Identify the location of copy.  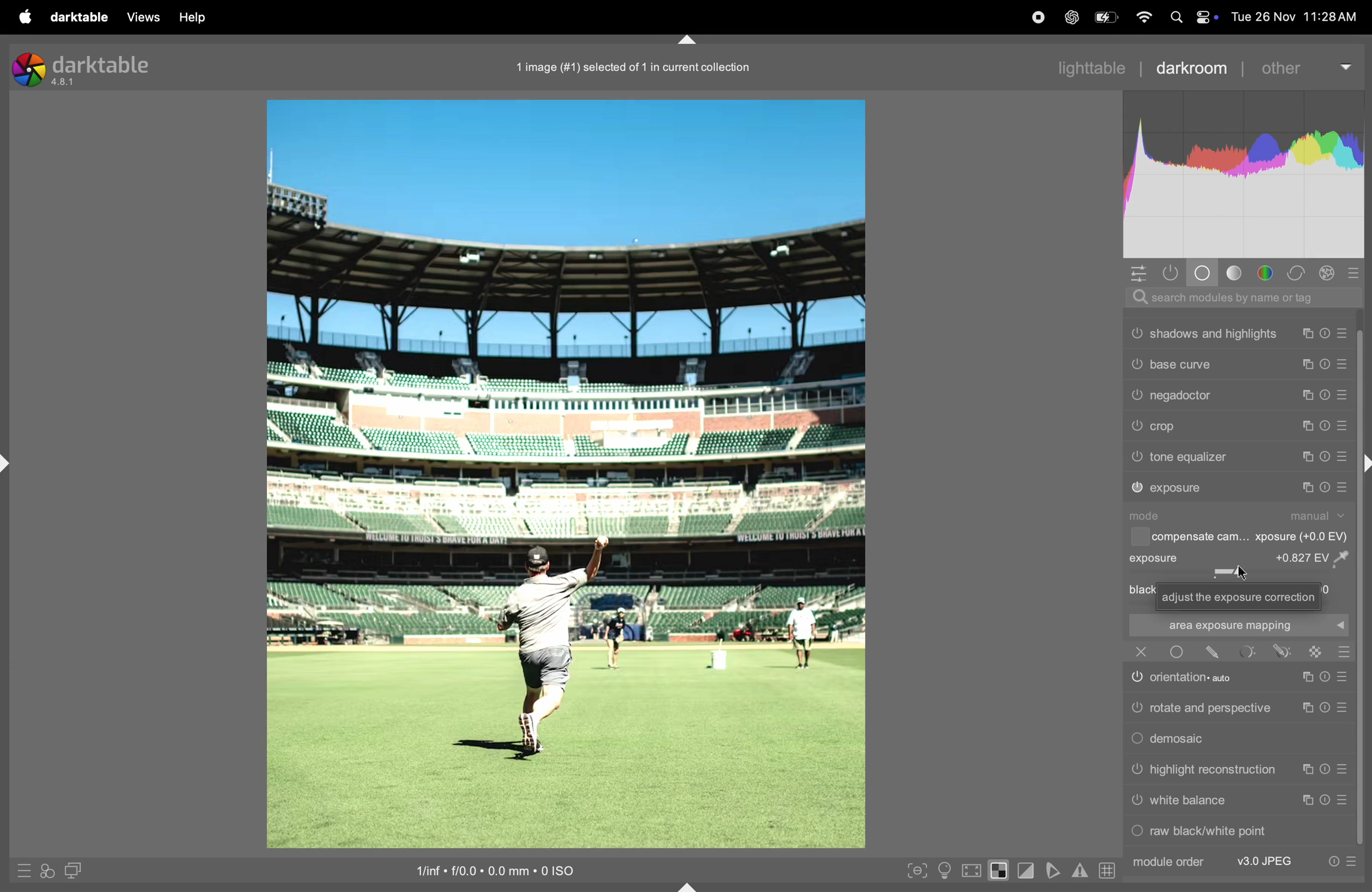
(1306, 458).